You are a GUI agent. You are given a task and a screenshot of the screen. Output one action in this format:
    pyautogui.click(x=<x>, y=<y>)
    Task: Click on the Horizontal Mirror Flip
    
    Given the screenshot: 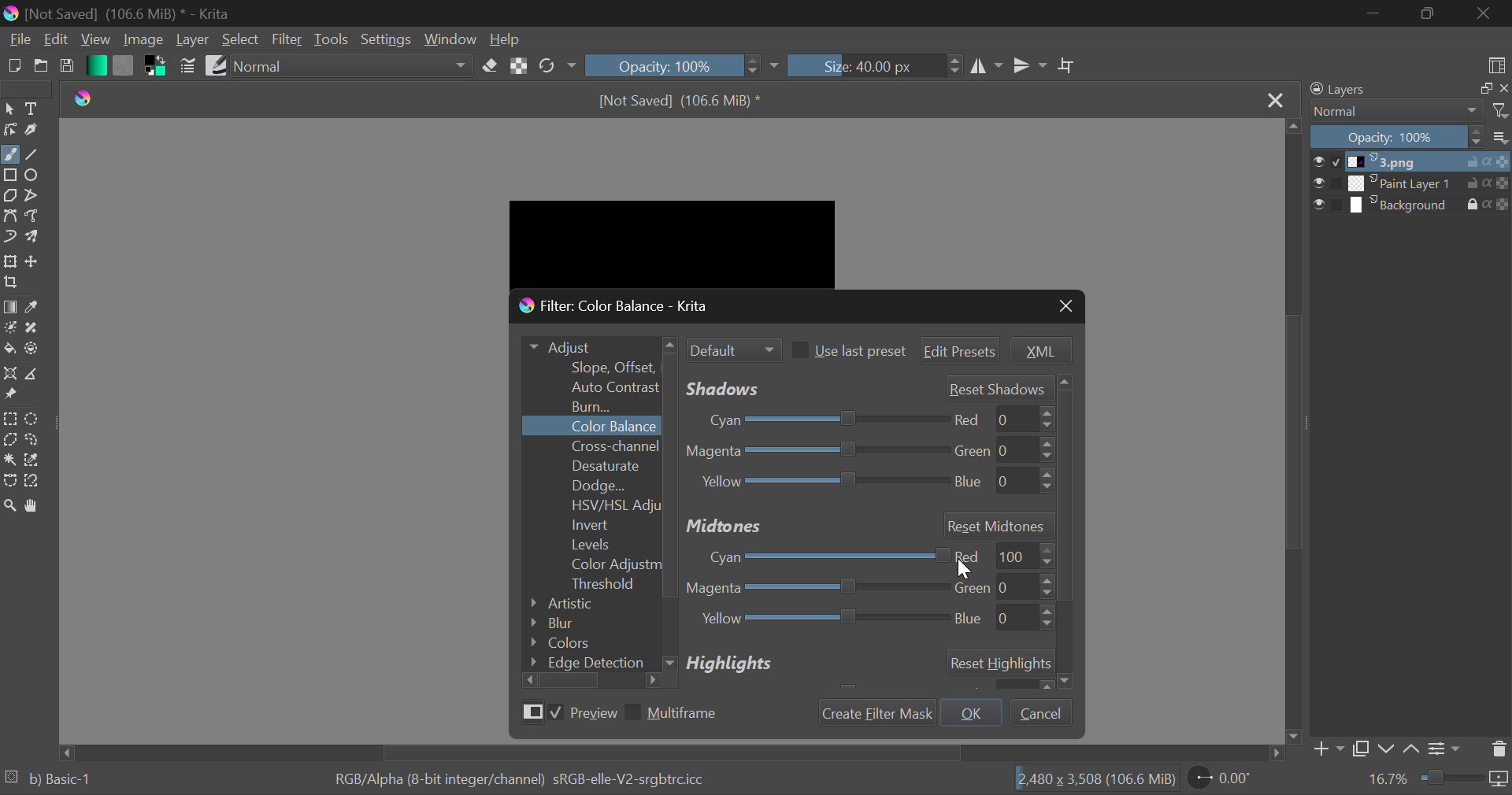 What is the action you would take?
    pyautogui.click(x=1030, y=65)
    